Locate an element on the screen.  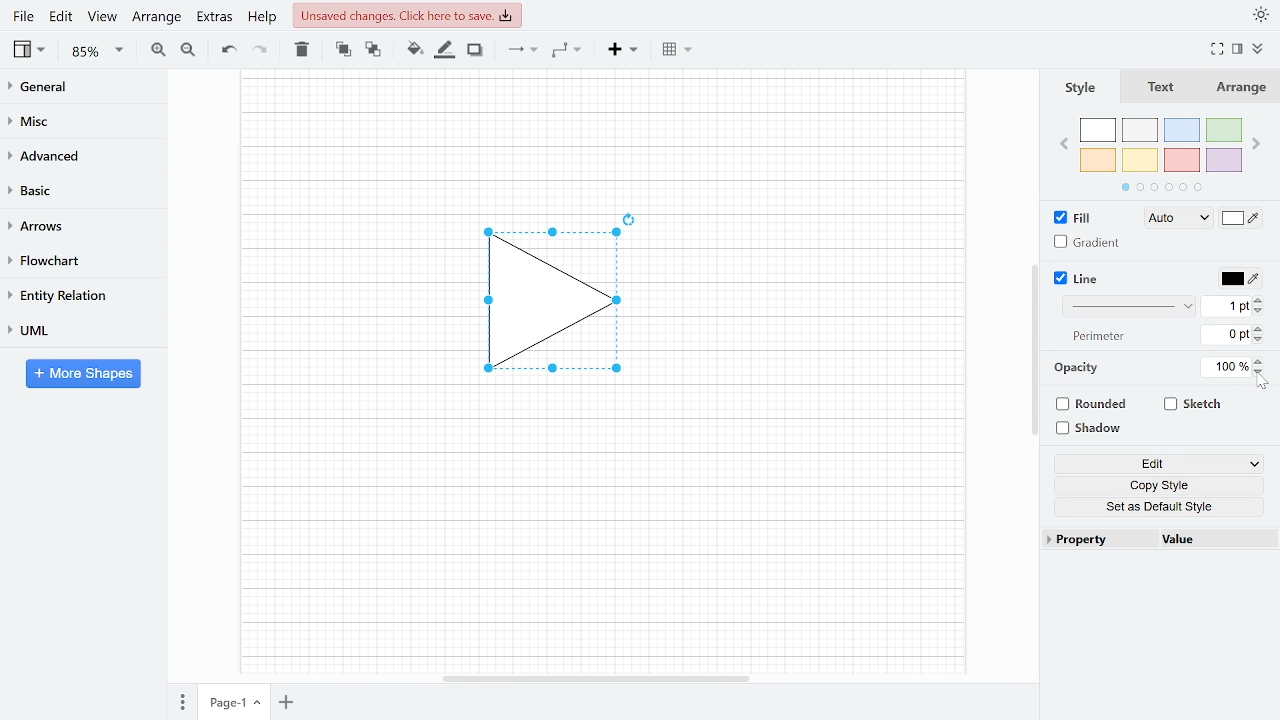
Rounded is located at coordinates (1094, 406).